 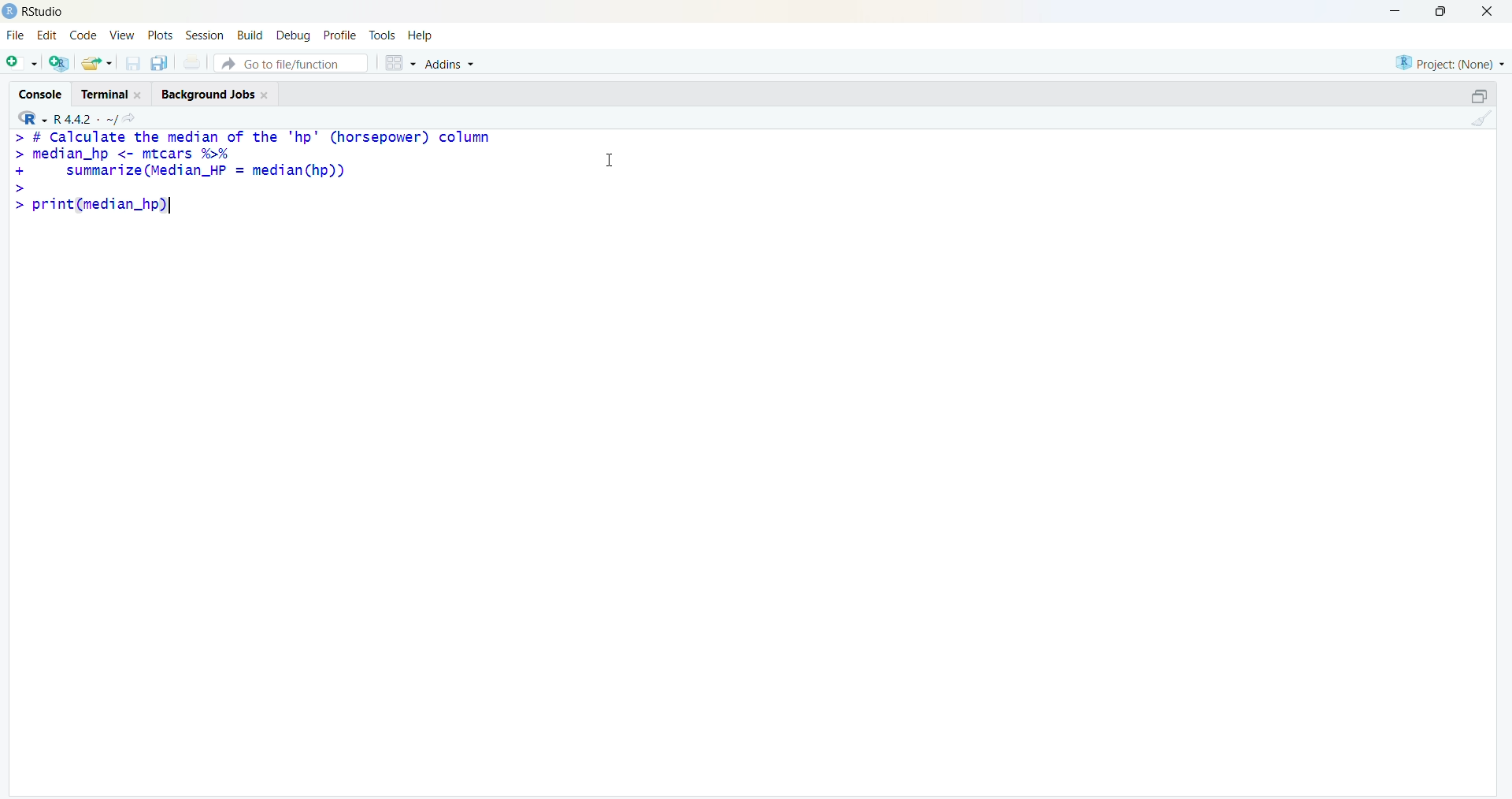 What do you see at coordinates (610, 162) in the screenshot?
I see `cursor` at bounding box center [610, 162].